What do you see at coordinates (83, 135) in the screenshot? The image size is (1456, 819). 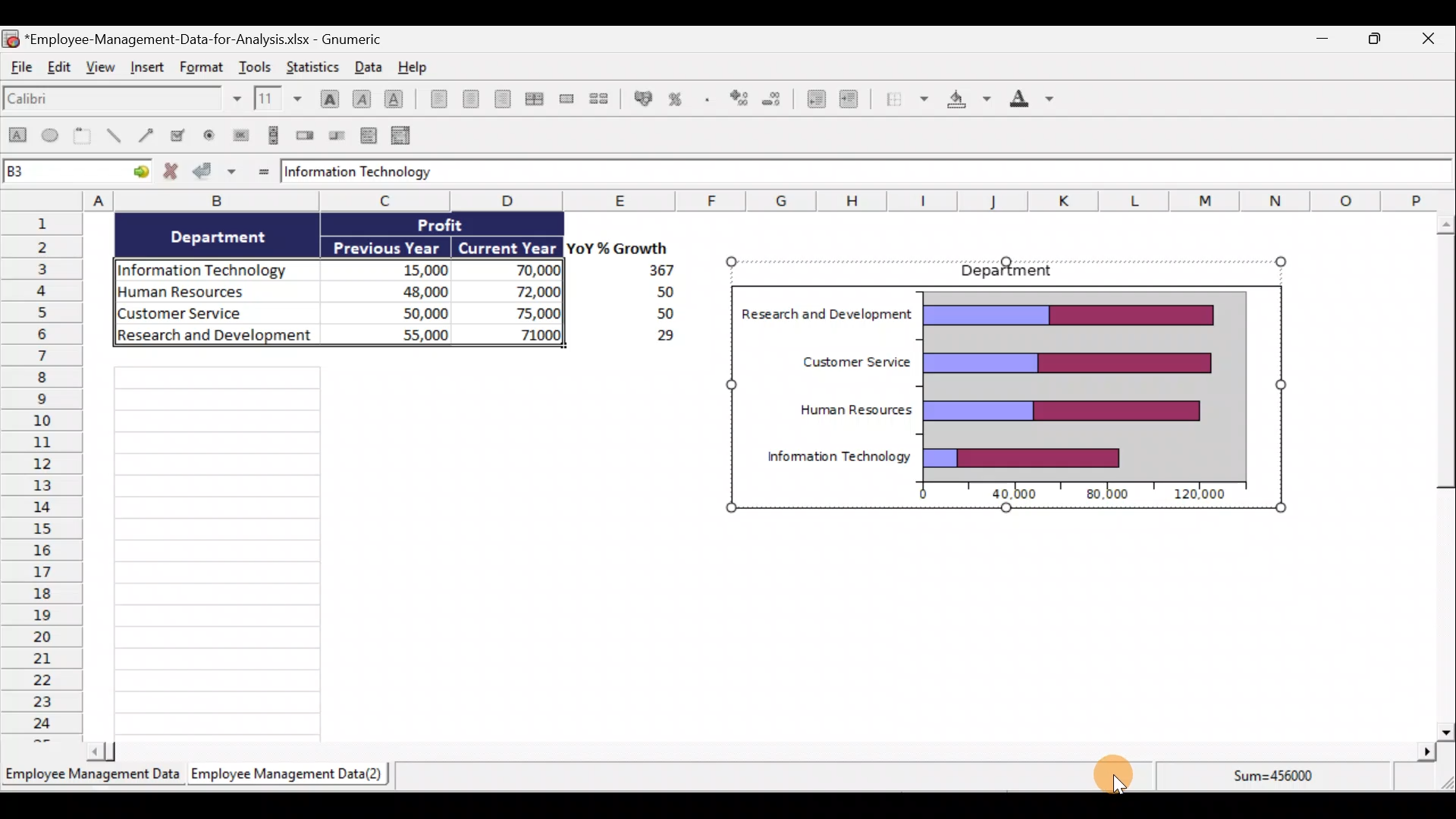 I see `Create a frame` at bounding box center [83, 135].